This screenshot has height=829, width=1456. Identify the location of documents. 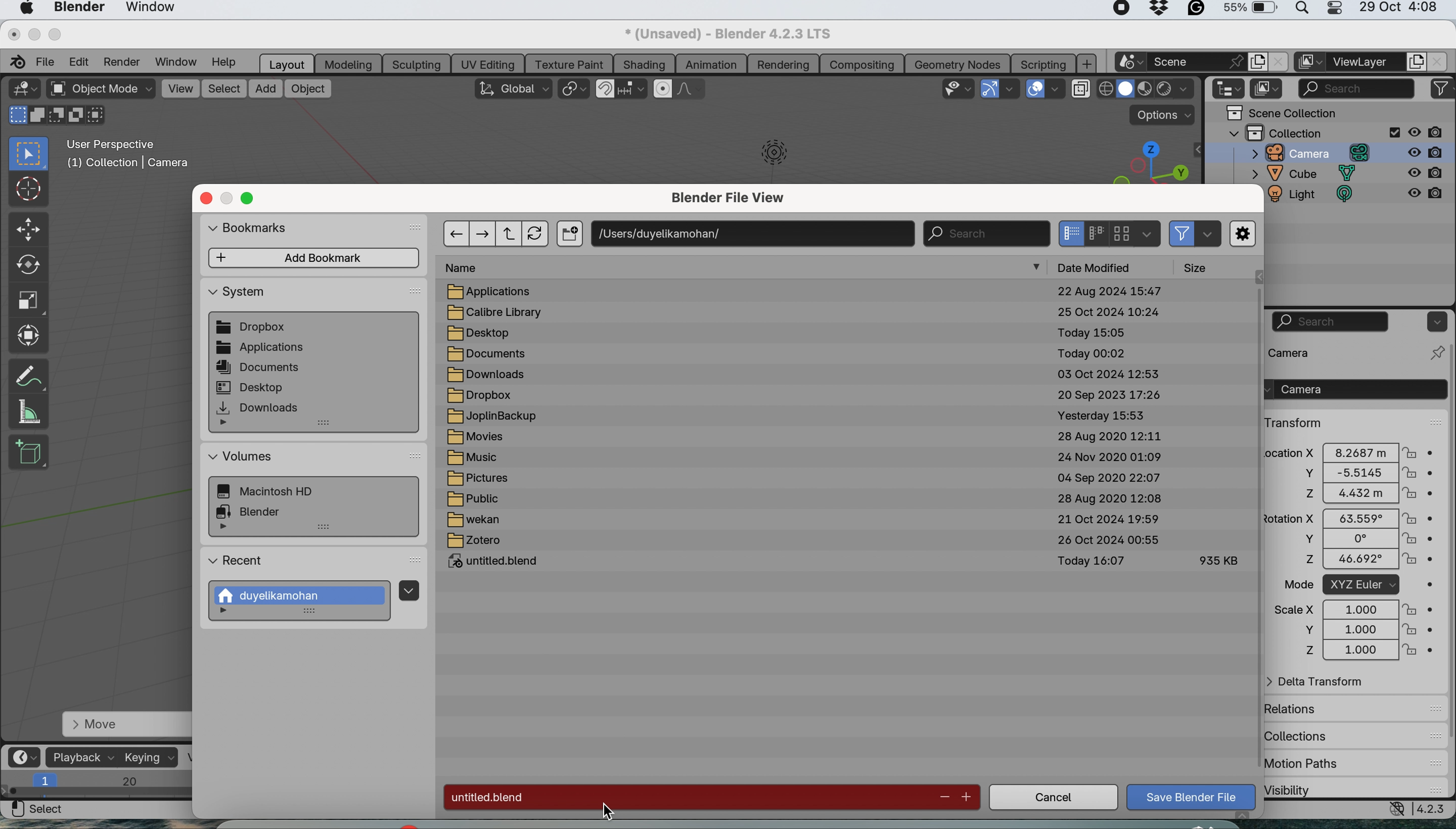
(487, 355).